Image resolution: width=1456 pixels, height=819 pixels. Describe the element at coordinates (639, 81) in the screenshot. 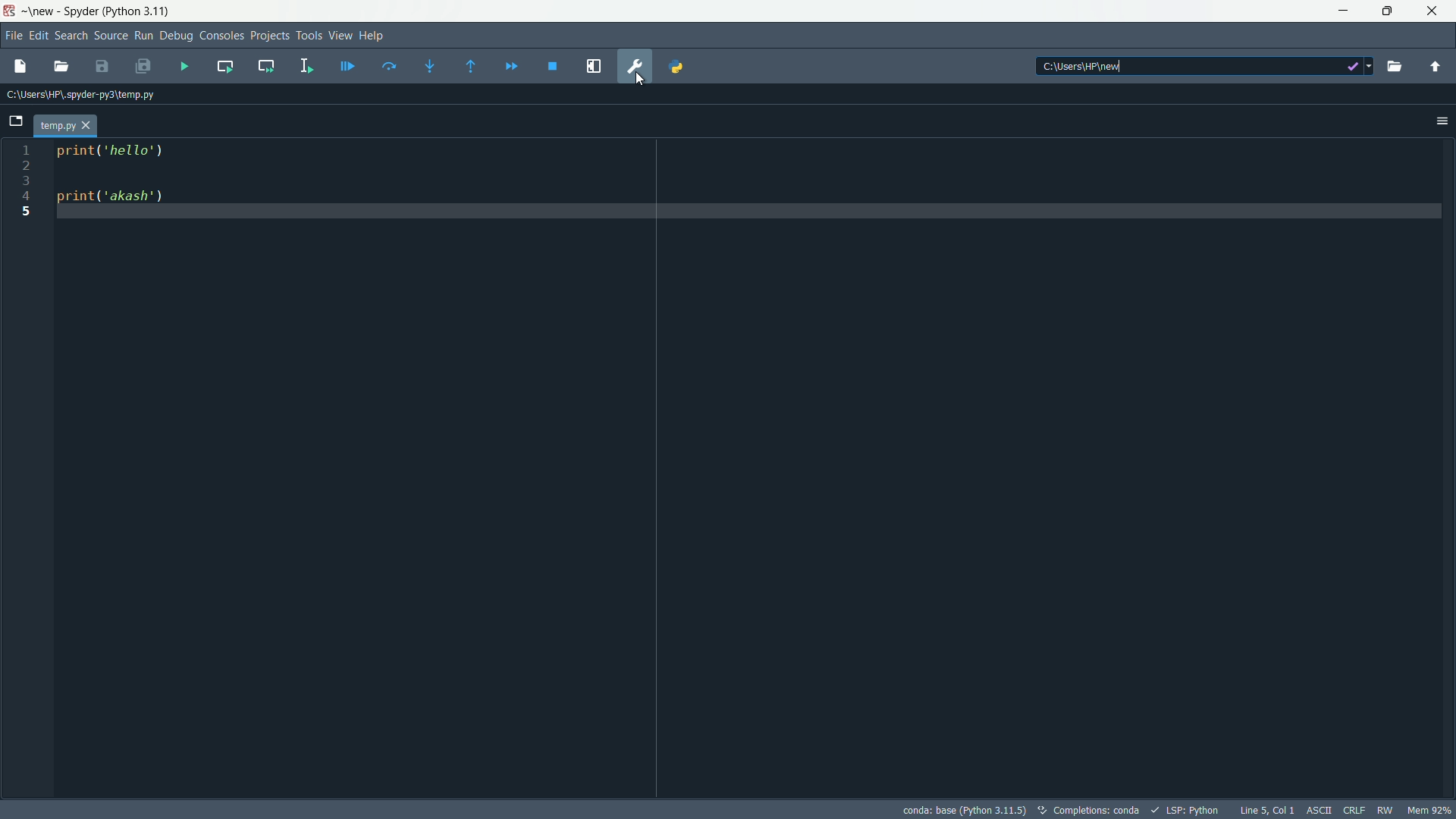

I see `cursor` at that location.